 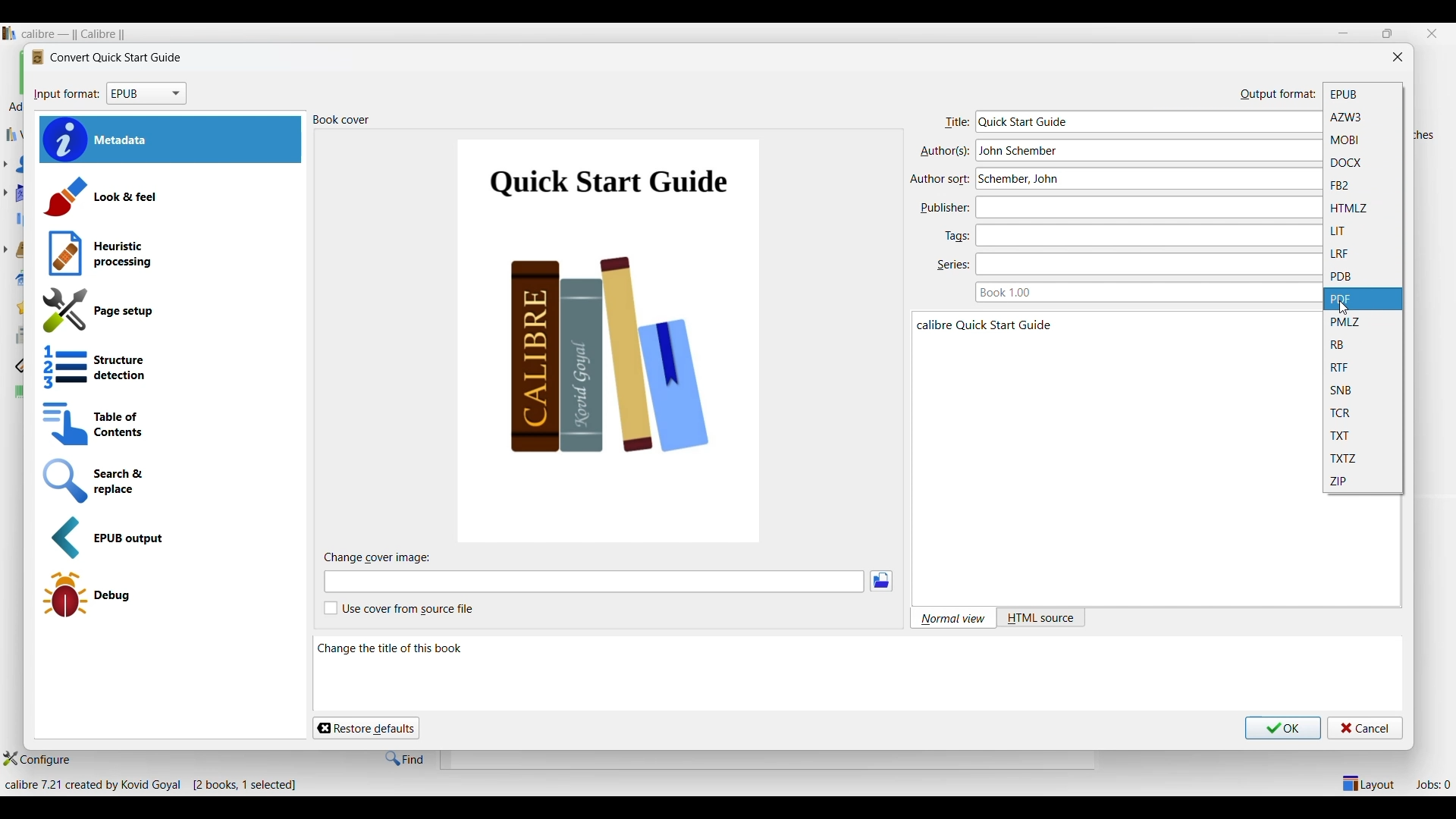 I want to click on Type in author, so click(x=1116, y=151).